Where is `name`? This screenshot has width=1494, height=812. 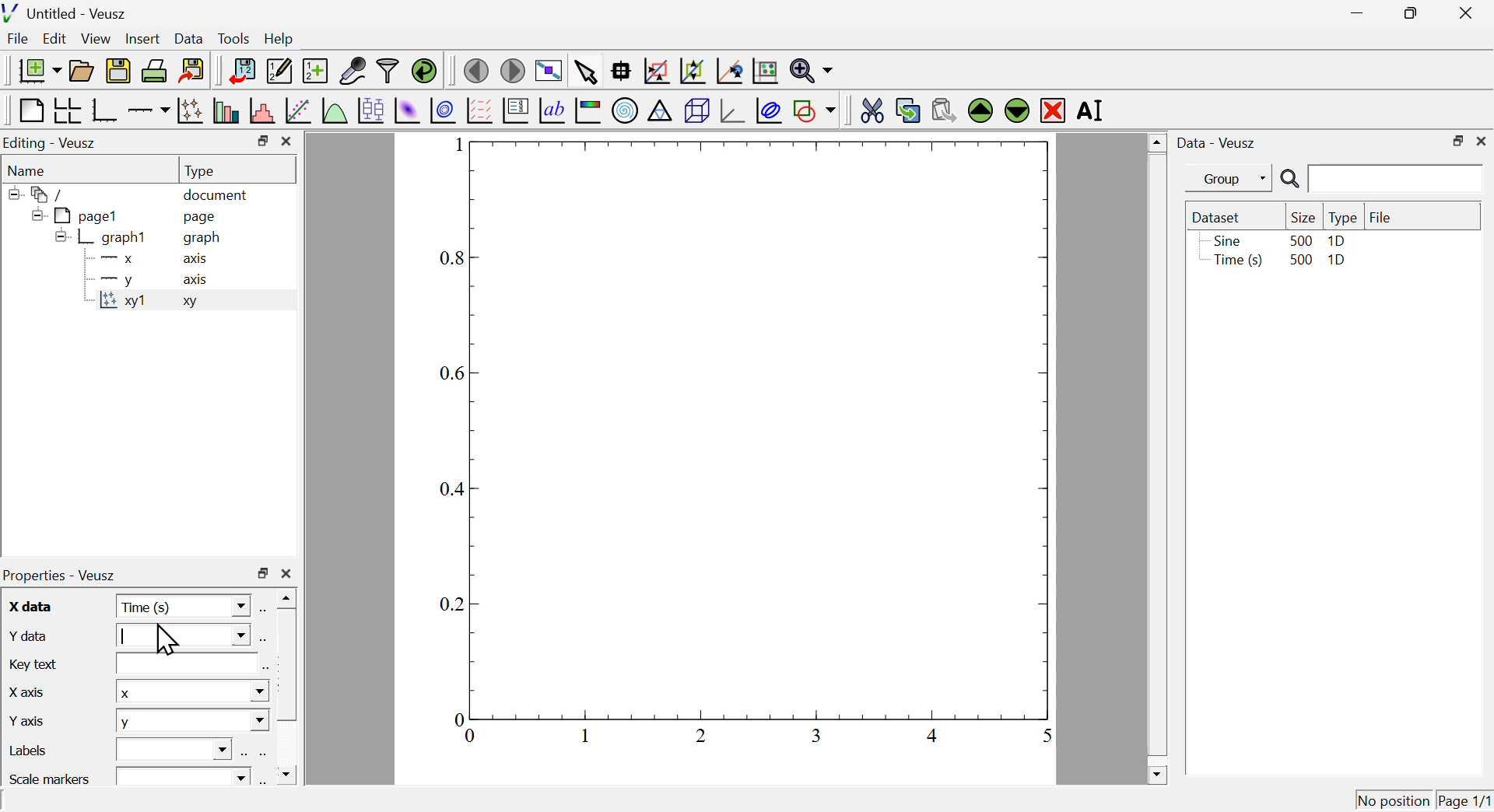
name is located at coordinates (30, 170).